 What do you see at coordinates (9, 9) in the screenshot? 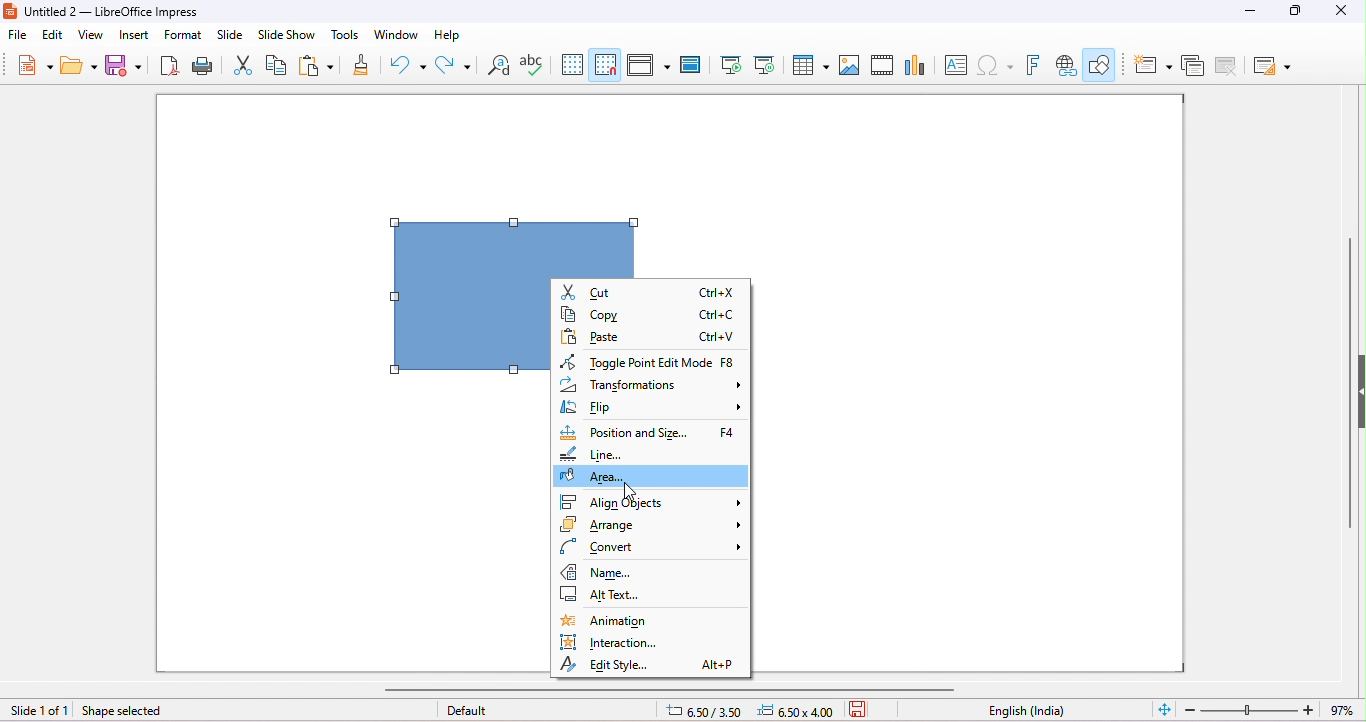
I see `Libreoffice Logo` at bounding box center [9, 9].